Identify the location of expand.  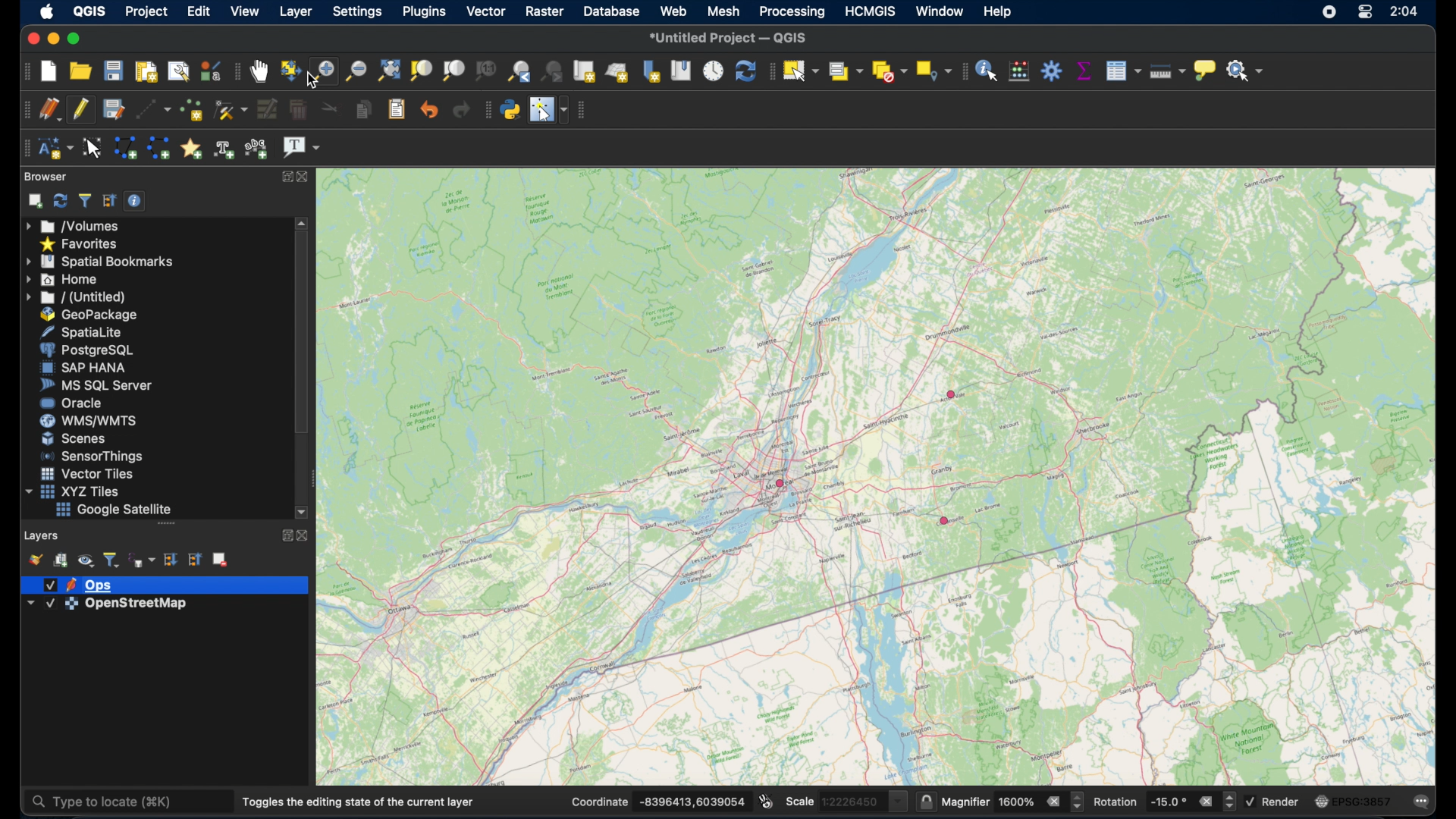
(285, 537).